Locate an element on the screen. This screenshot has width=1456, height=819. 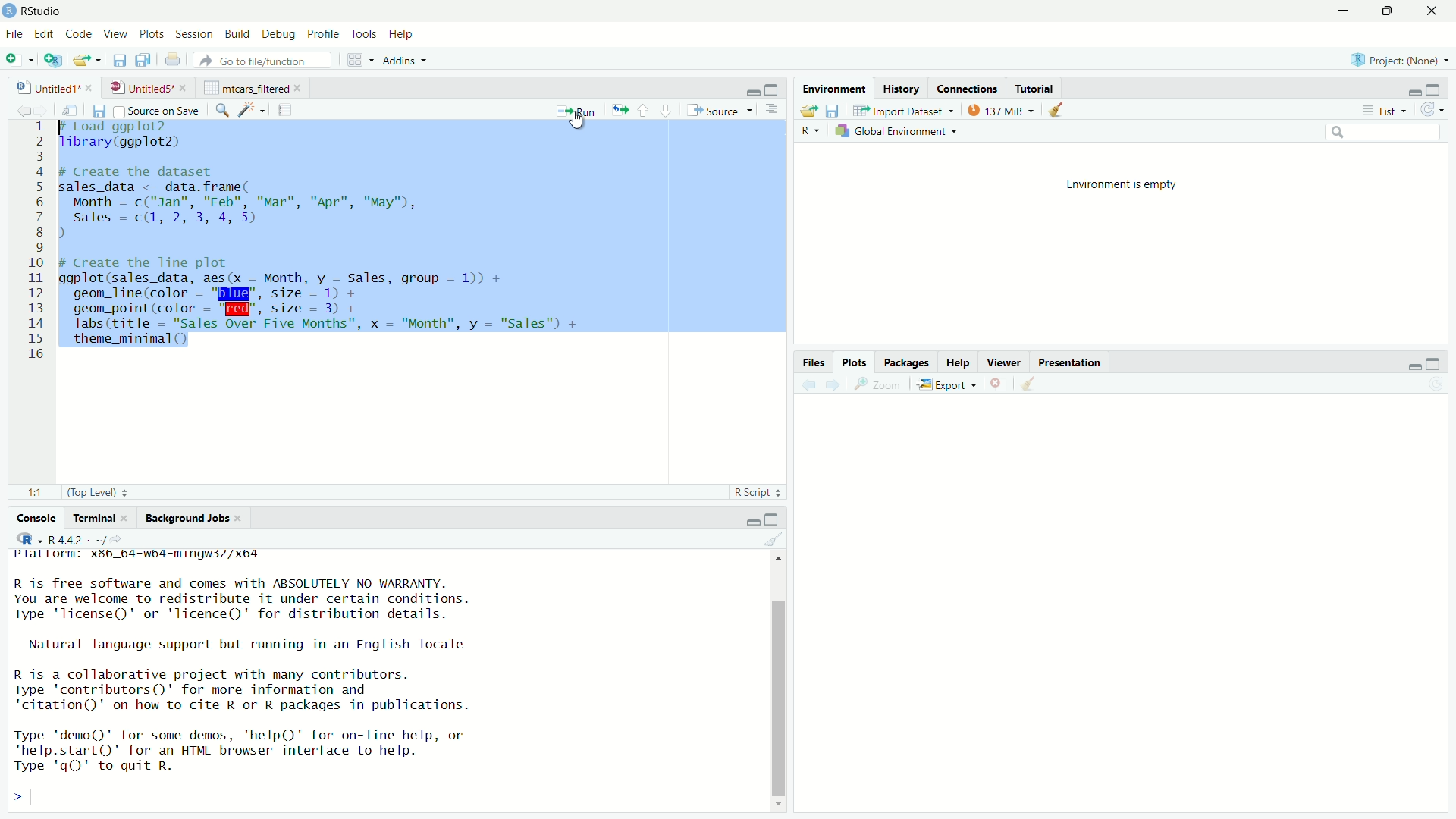
refresh is located at coordinates (1435, 109).